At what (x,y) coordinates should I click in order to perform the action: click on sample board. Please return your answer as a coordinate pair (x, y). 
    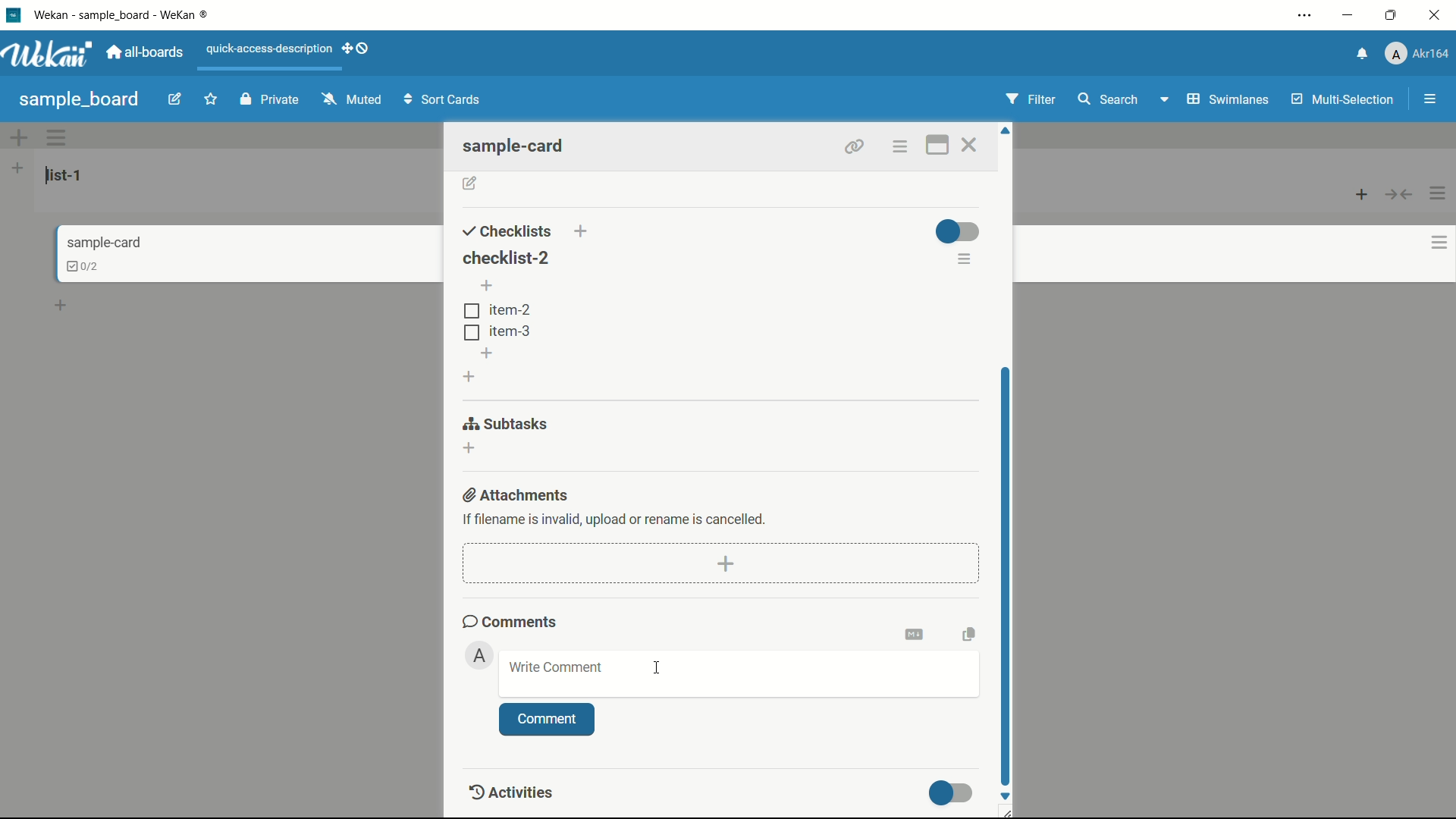
    Looking at the image, I should click on (79, 99).